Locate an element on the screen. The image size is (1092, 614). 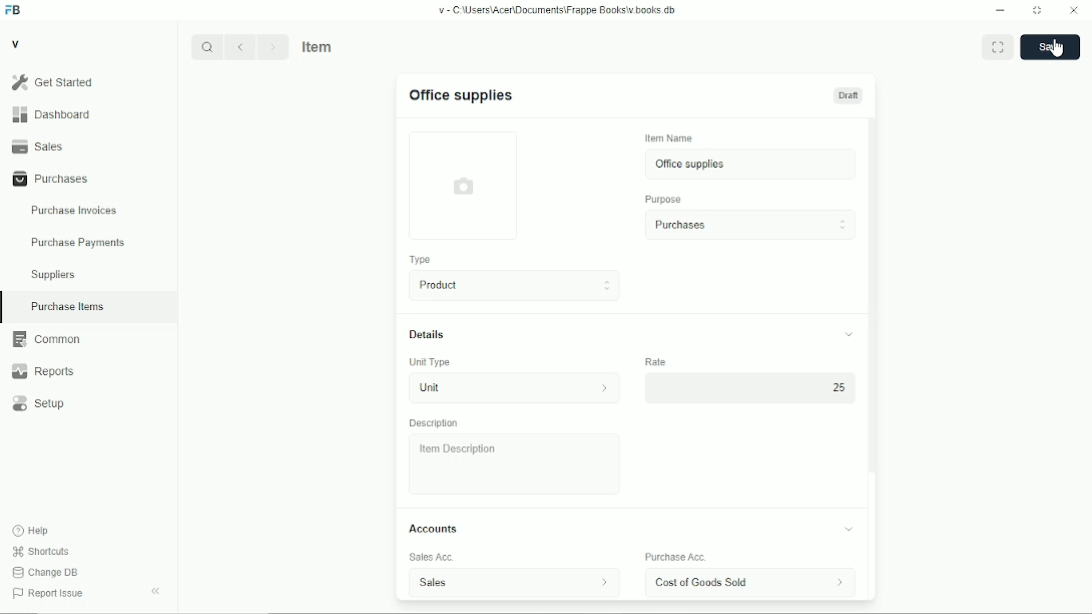
sales account information is located at coordinates (604, 582).